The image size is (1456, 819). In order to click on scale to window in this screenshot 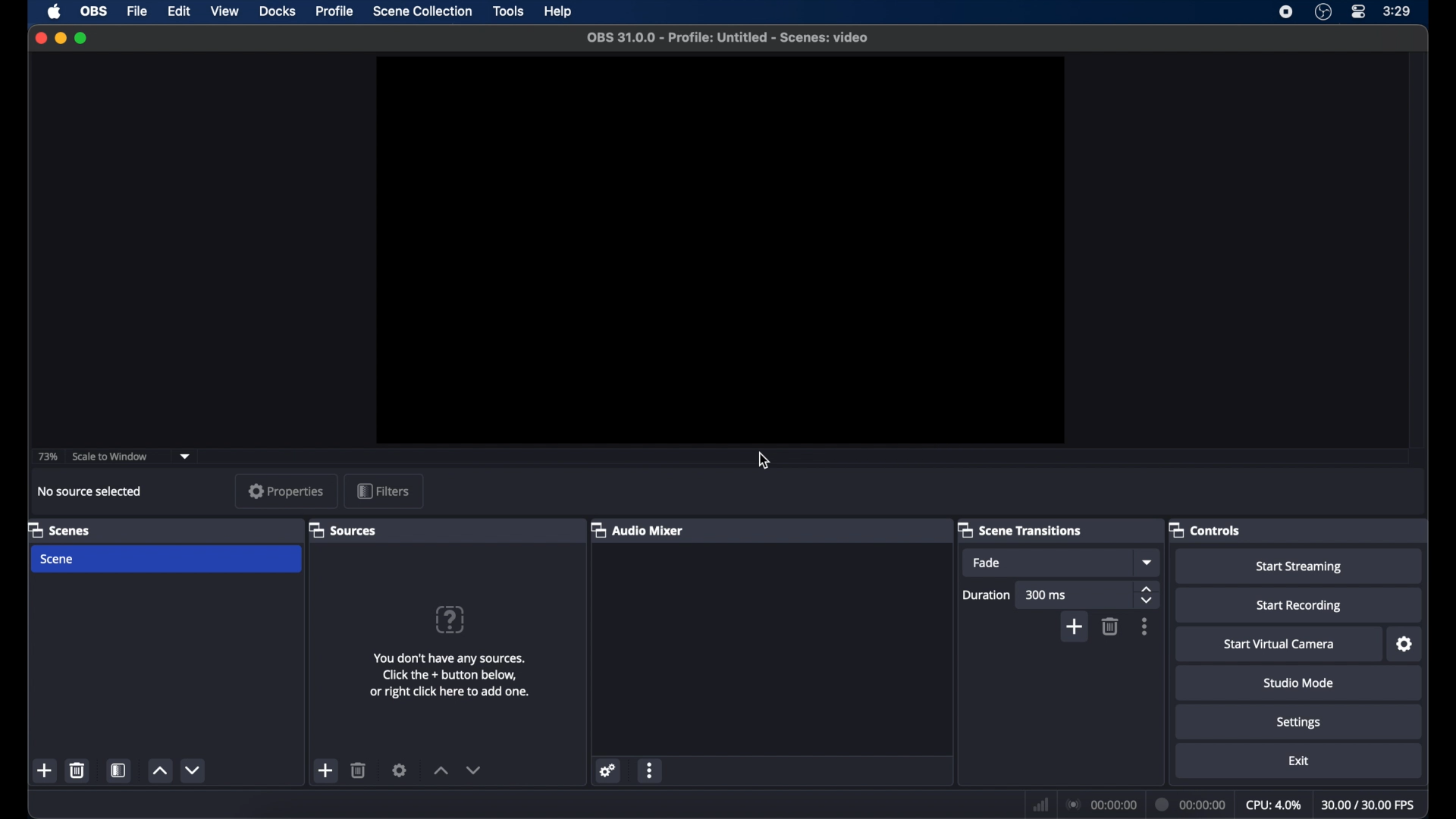, I will do `click(110, 457)`.